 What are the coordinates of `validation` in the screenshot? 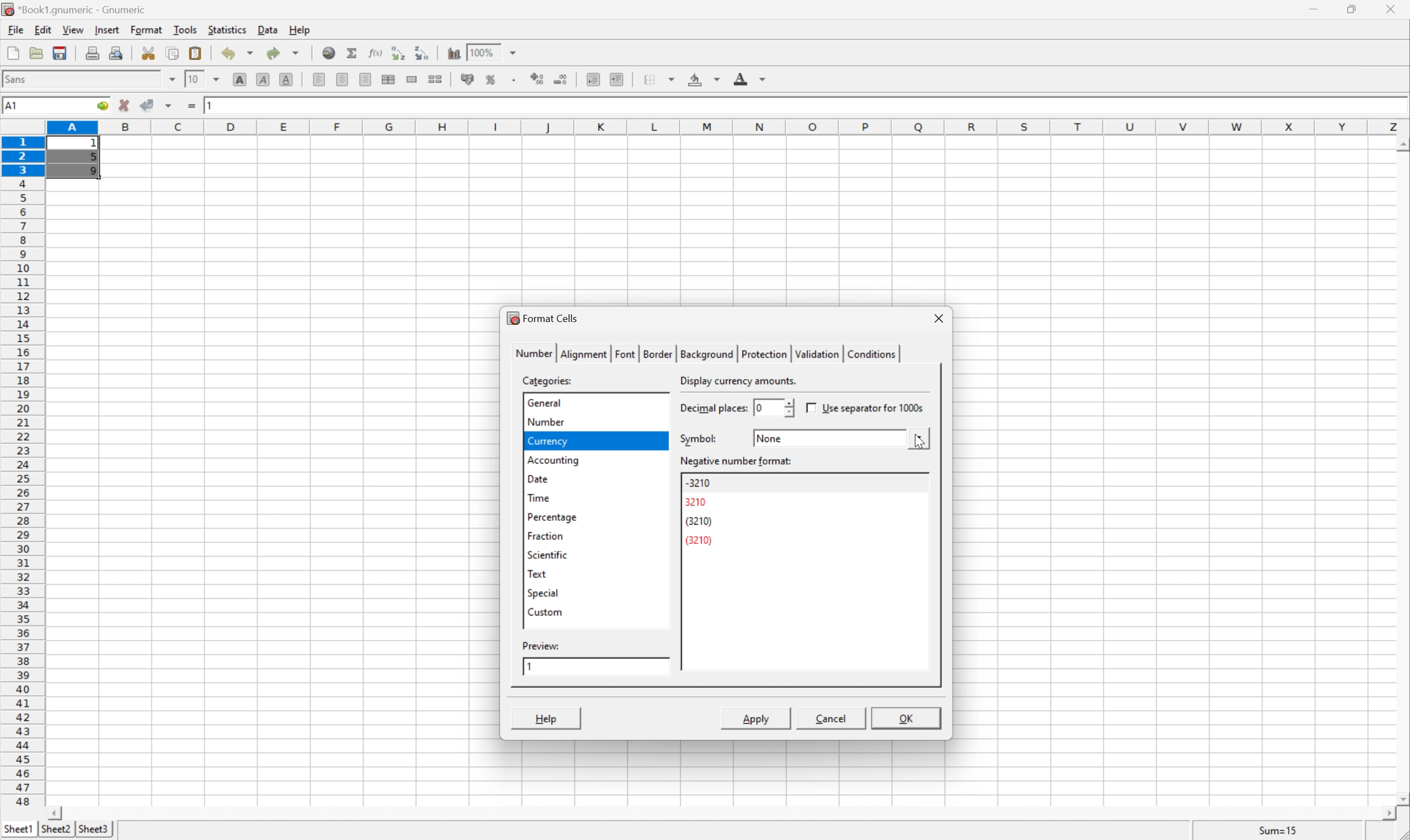 It's located at (815, 354).